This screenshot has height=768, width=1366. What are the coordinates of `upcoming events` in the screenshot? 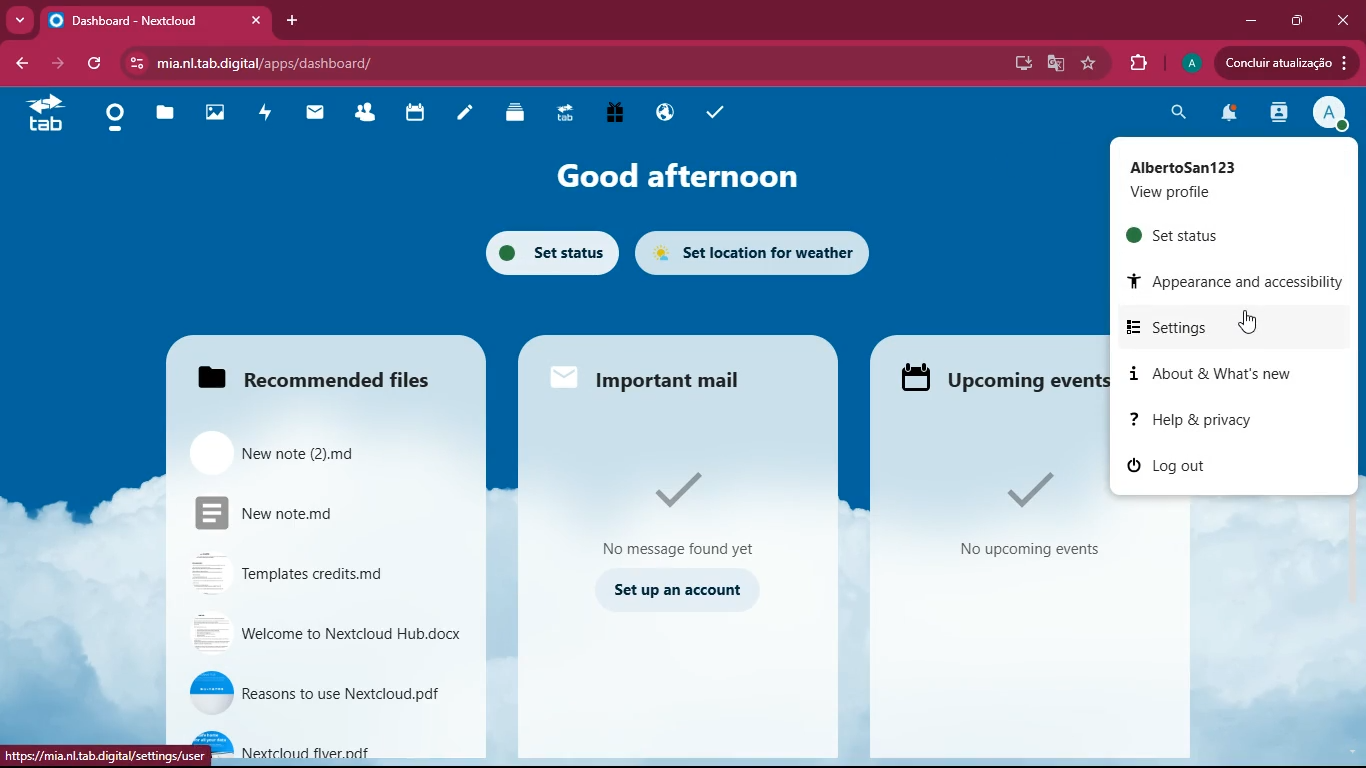 It's located at (1003, 380).